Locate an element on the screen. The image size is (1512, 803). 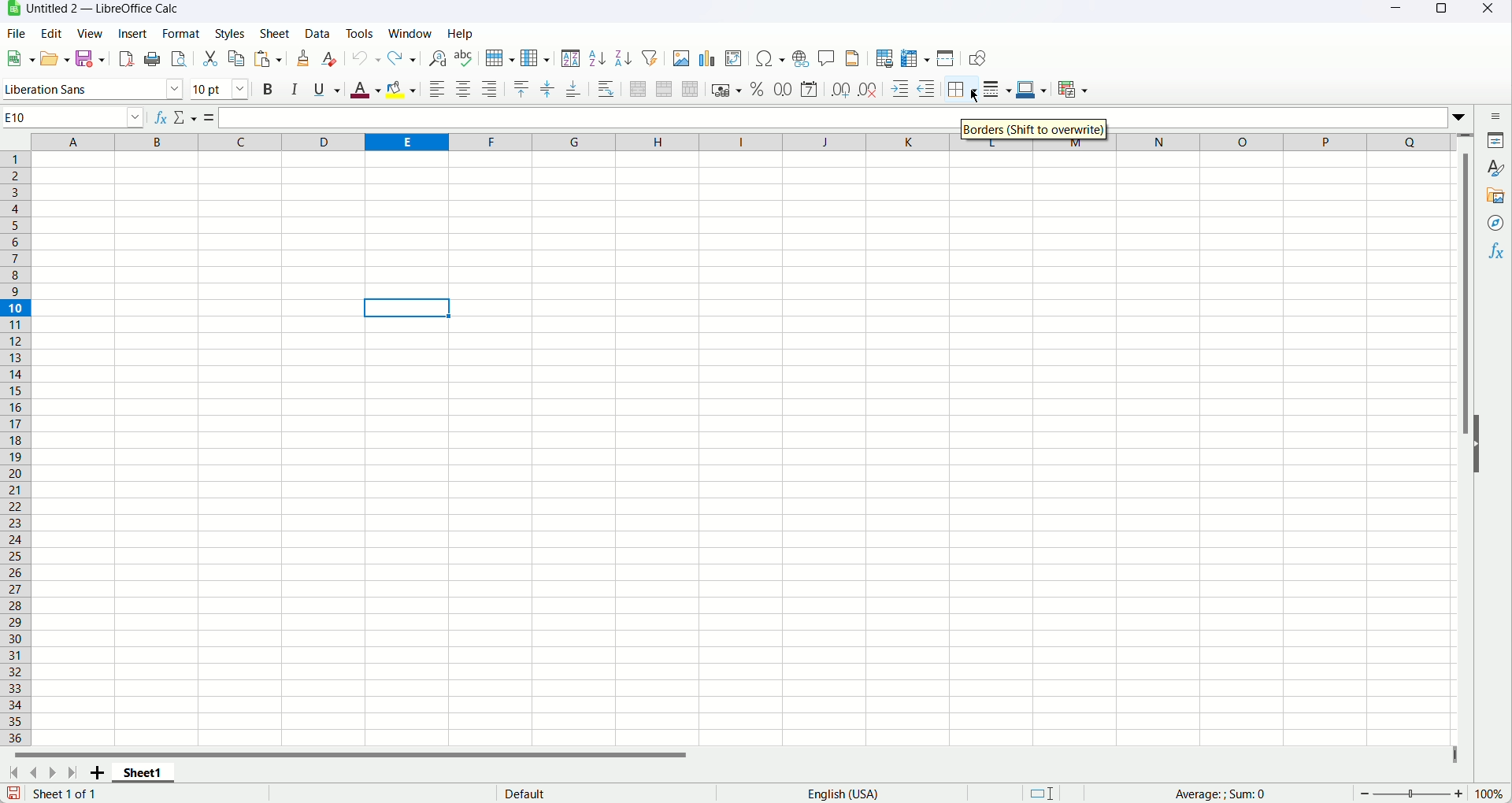
Name box is located at coordinates (75, 117).